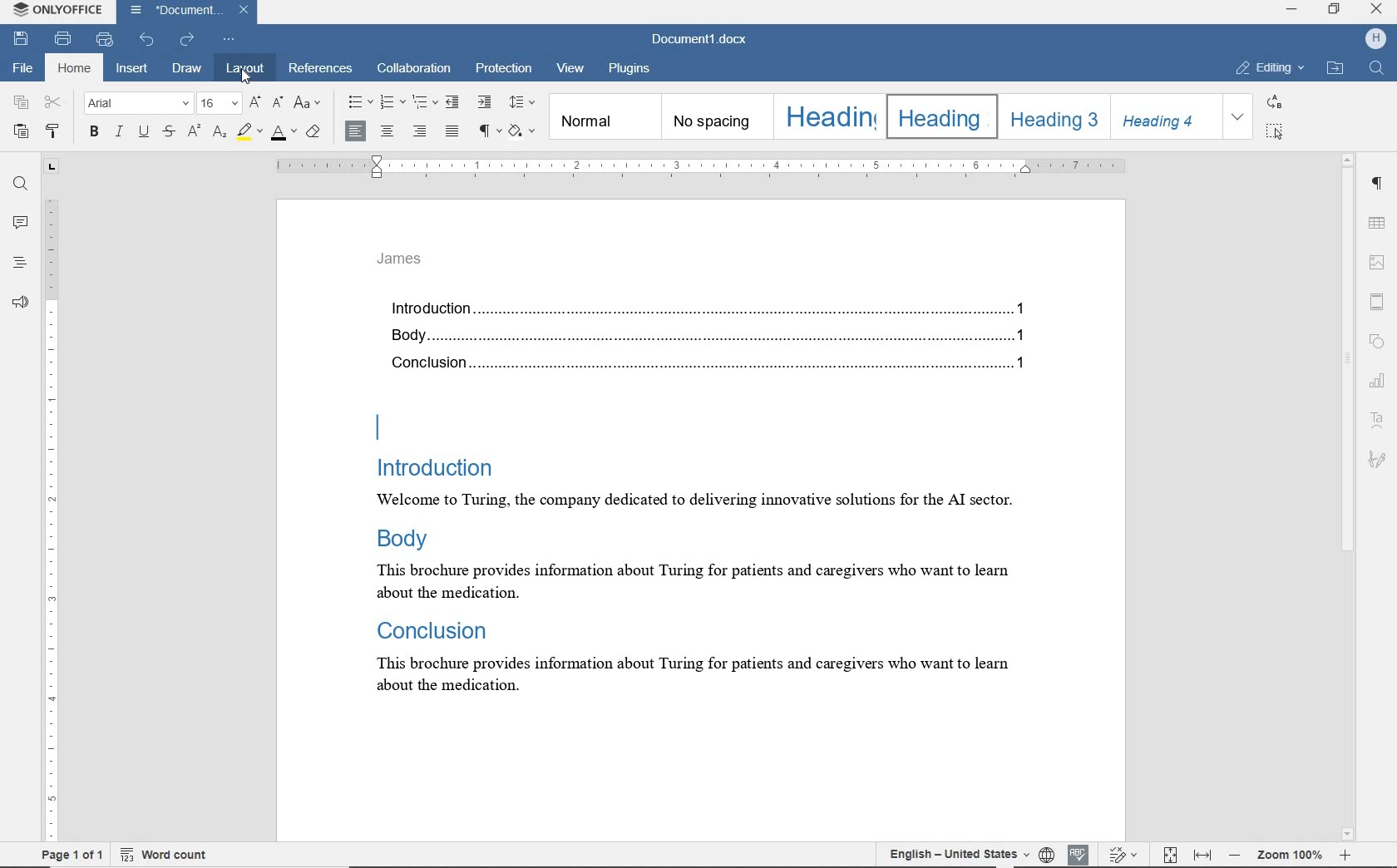 The height and width of the screenshot is (868, 1397). Describe the element at coordinates (1169, 853) in the screenshot. I see `fit to page` at that location.